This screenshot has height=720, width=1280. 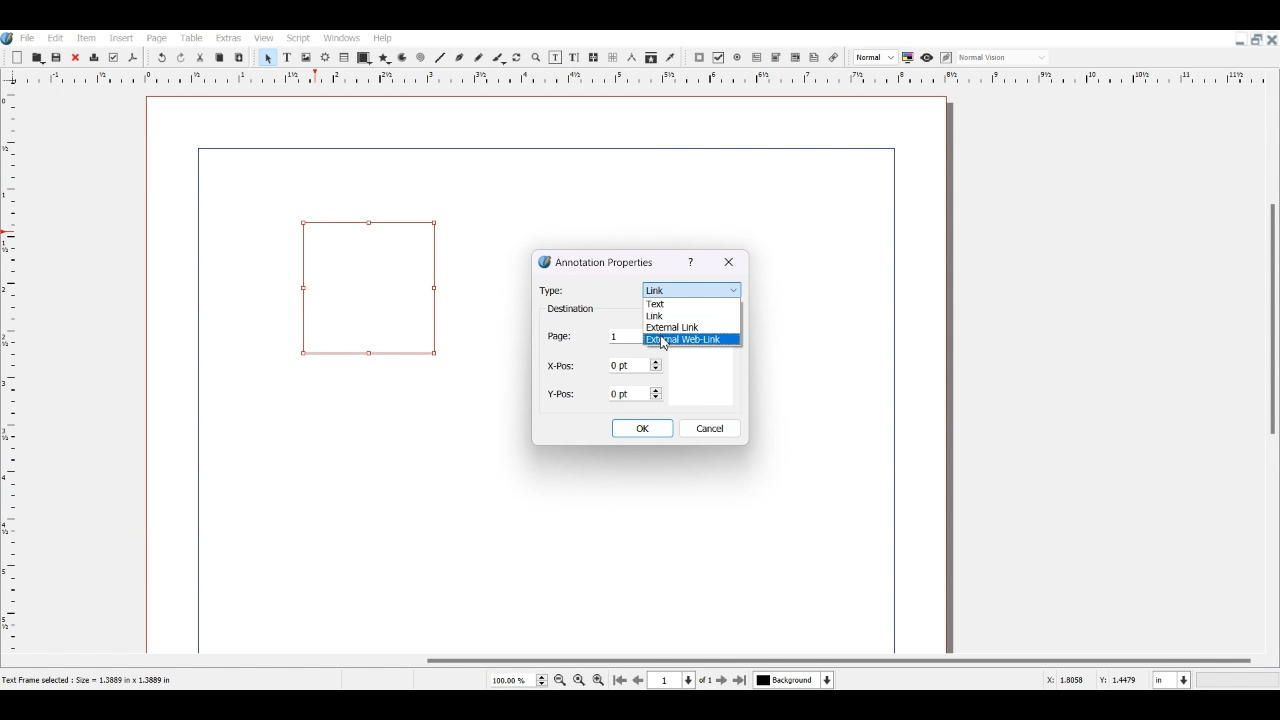 I want to click on Toggle color management system, so click(x=909, y=57).